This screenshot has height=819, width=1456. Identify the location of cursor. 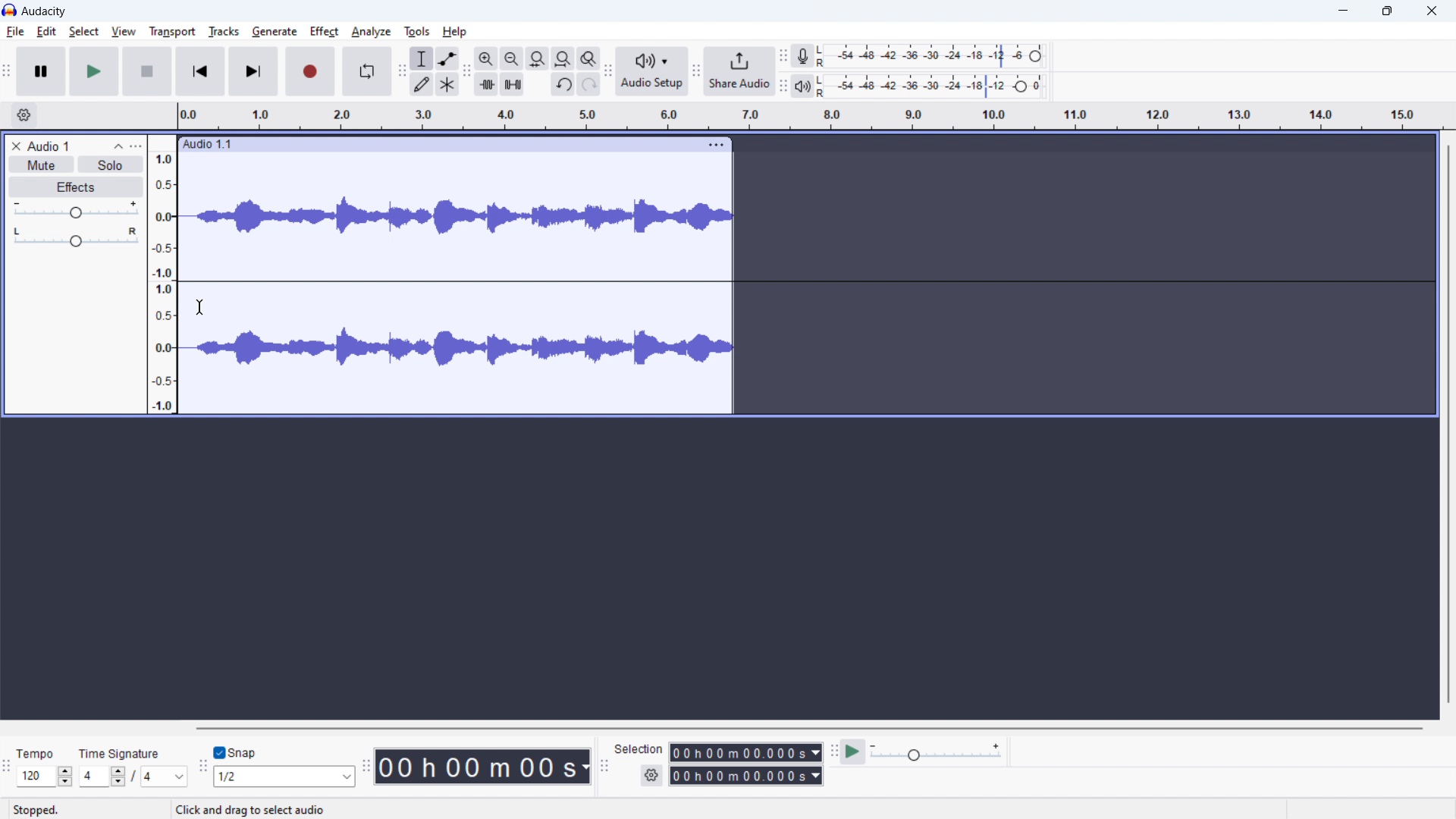
(199, 307).